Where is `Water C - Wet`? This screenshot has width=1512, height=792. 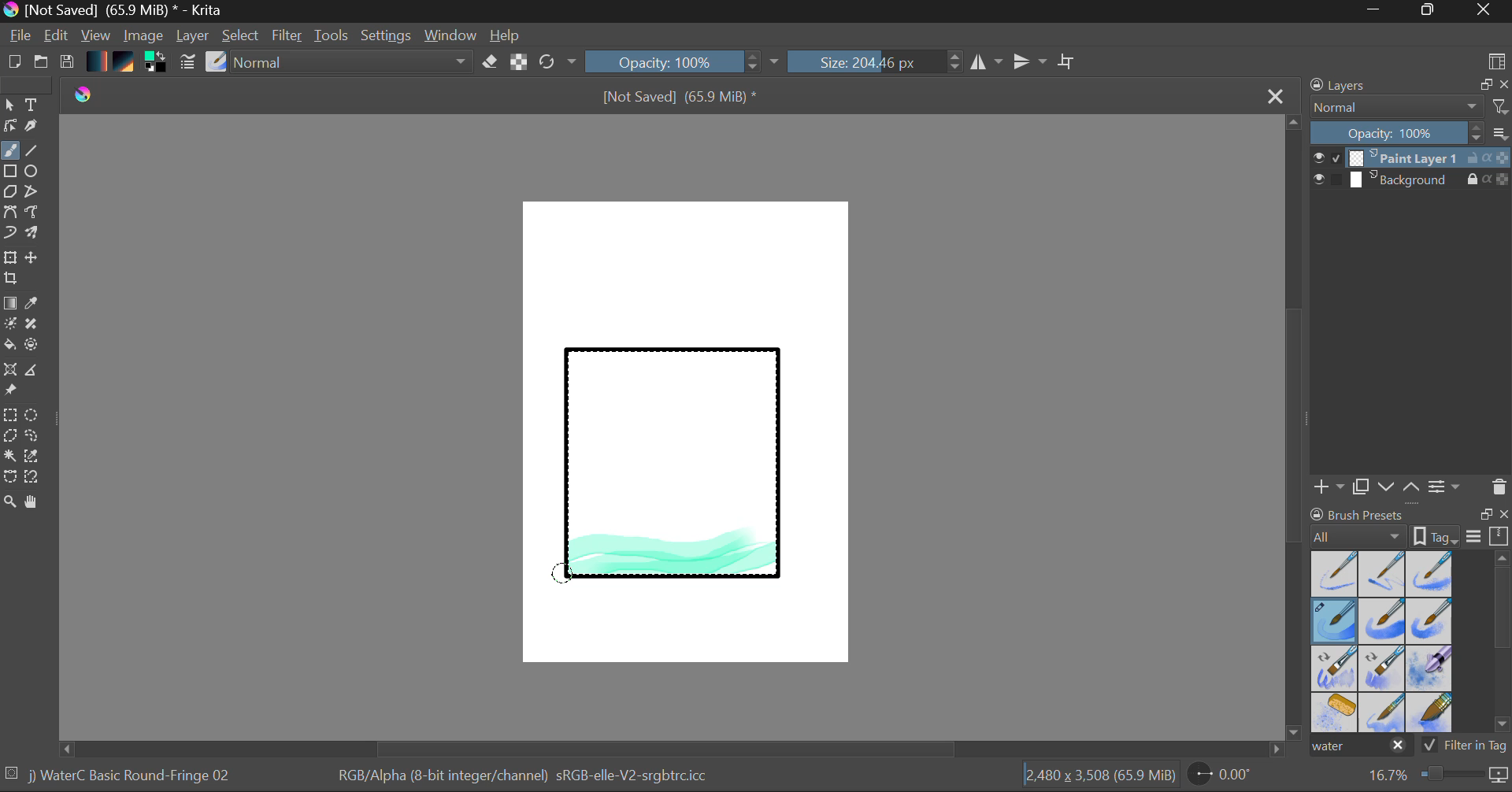 Water C - Wet is located at coordinates (1384, 574).